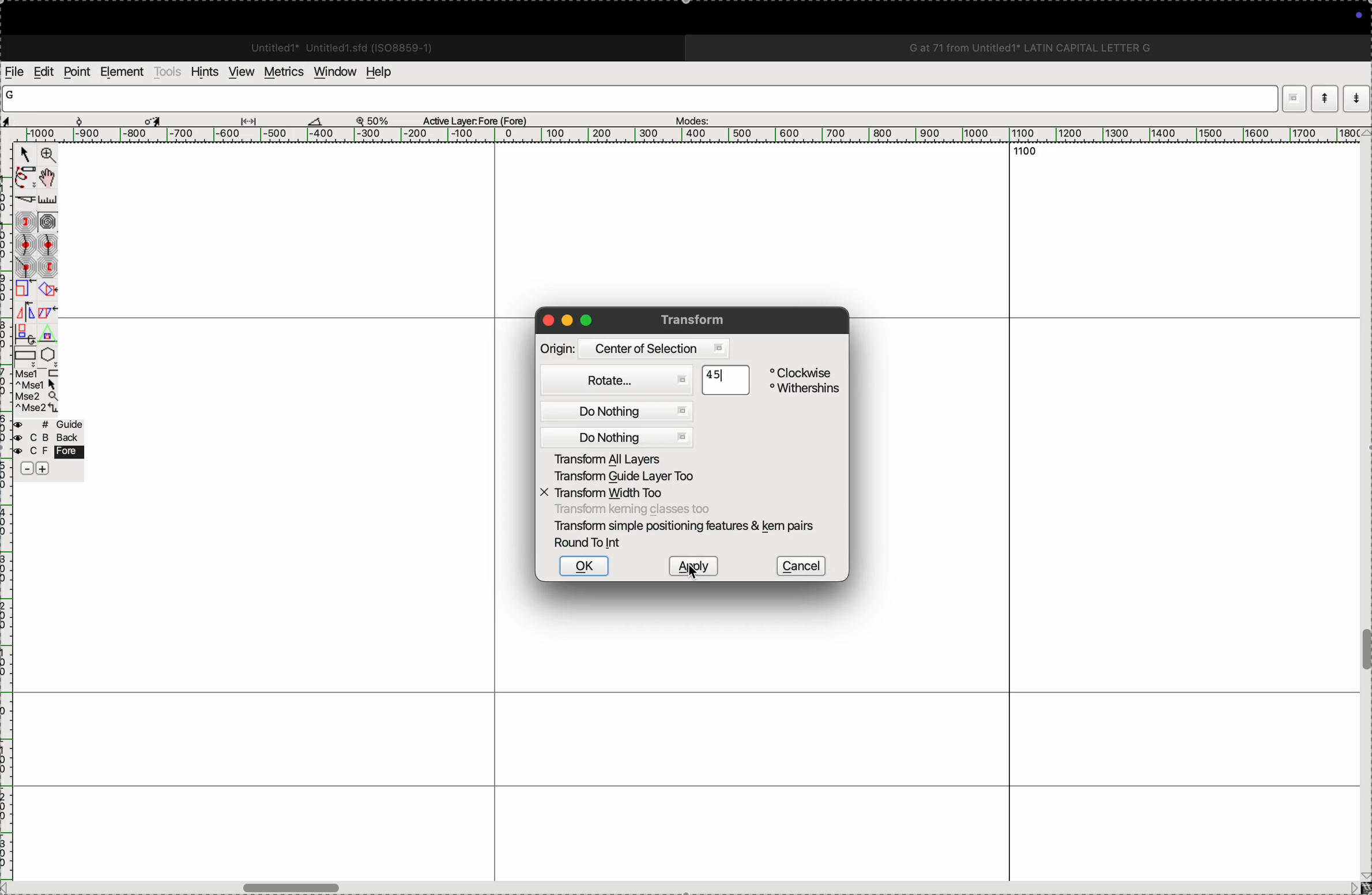  I want to click on apply, so click(692, 565).